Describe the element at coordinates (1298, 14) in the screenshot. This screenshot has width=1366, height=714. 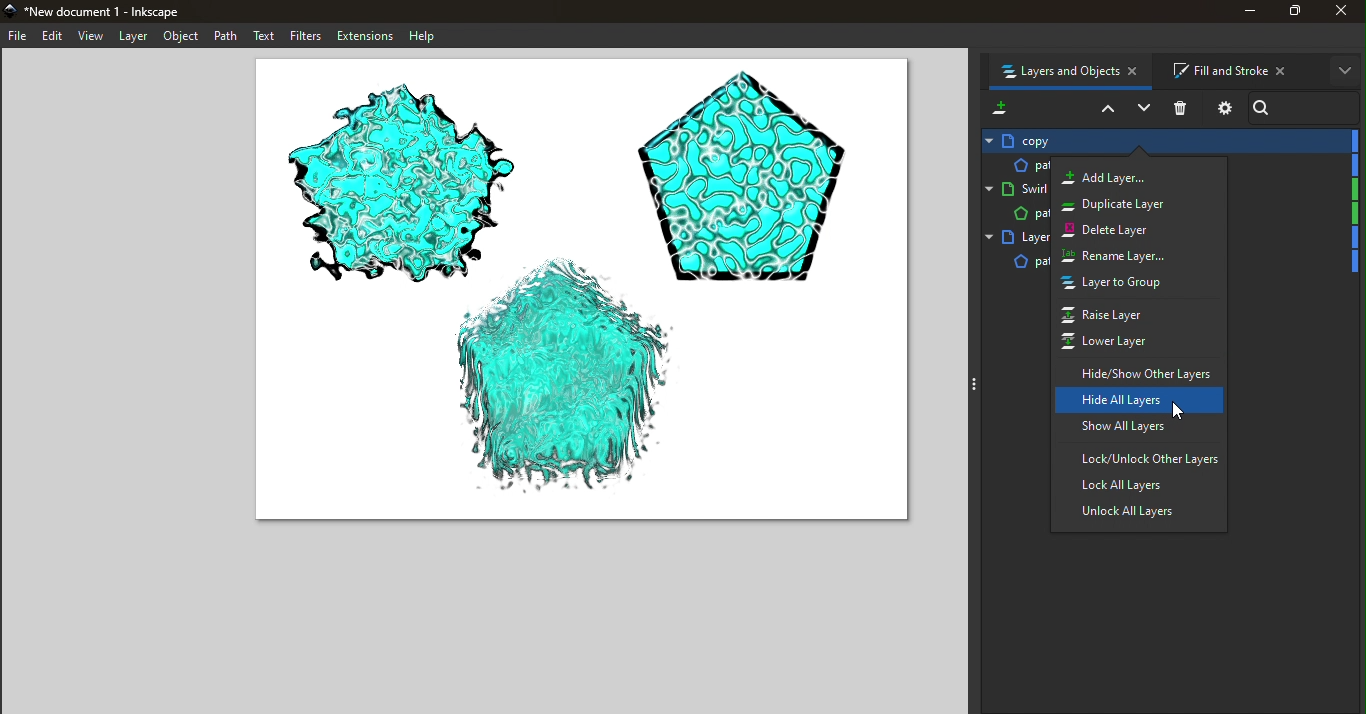
I see `Maximize` at that location.